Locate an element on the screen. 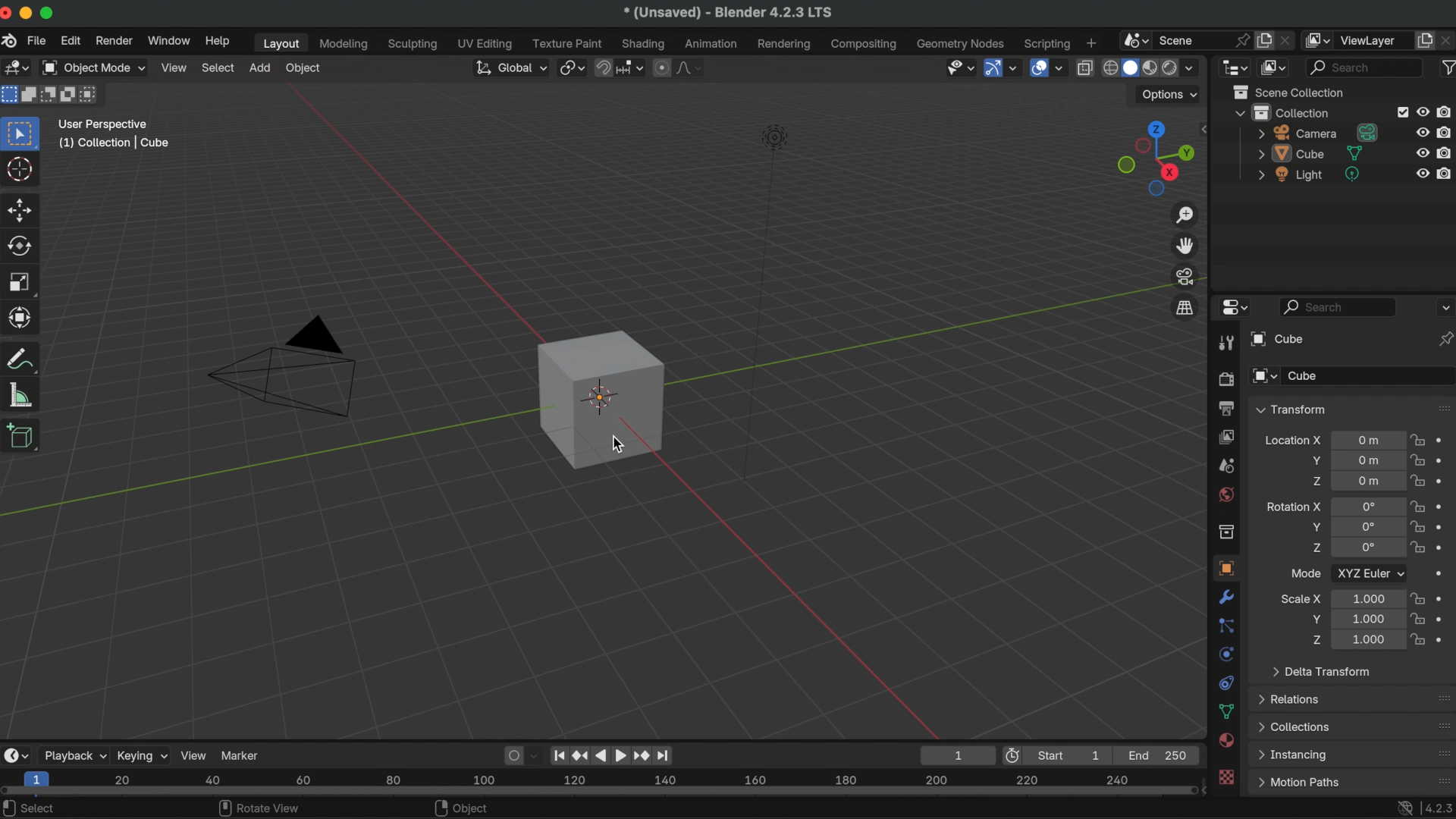 The height and width of the screenshot is (819, 1456). collection is located at coordinates (1225, 532).